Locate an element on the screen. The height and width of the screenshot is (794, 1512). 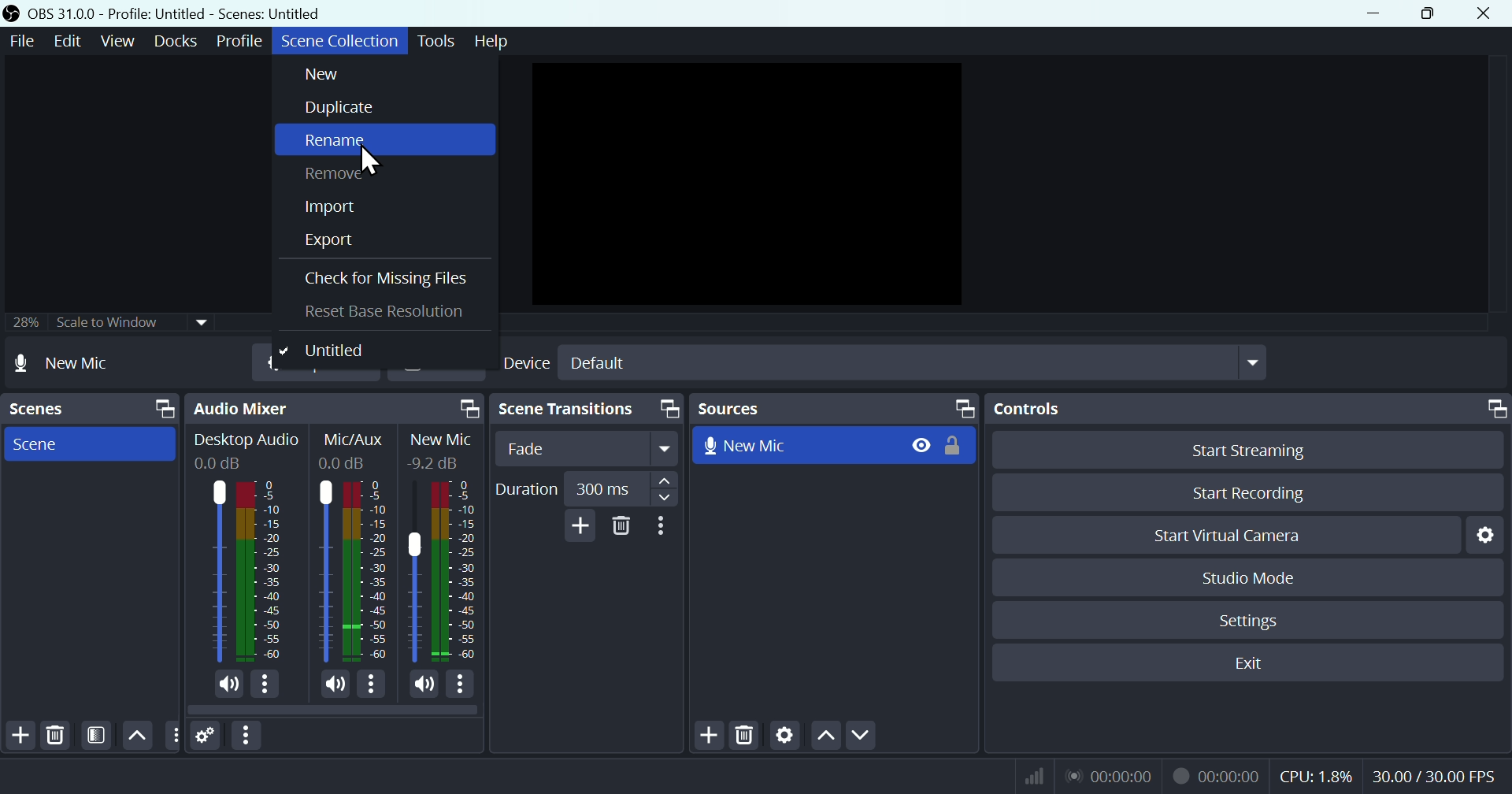
 is located at coordinates (174, 736).